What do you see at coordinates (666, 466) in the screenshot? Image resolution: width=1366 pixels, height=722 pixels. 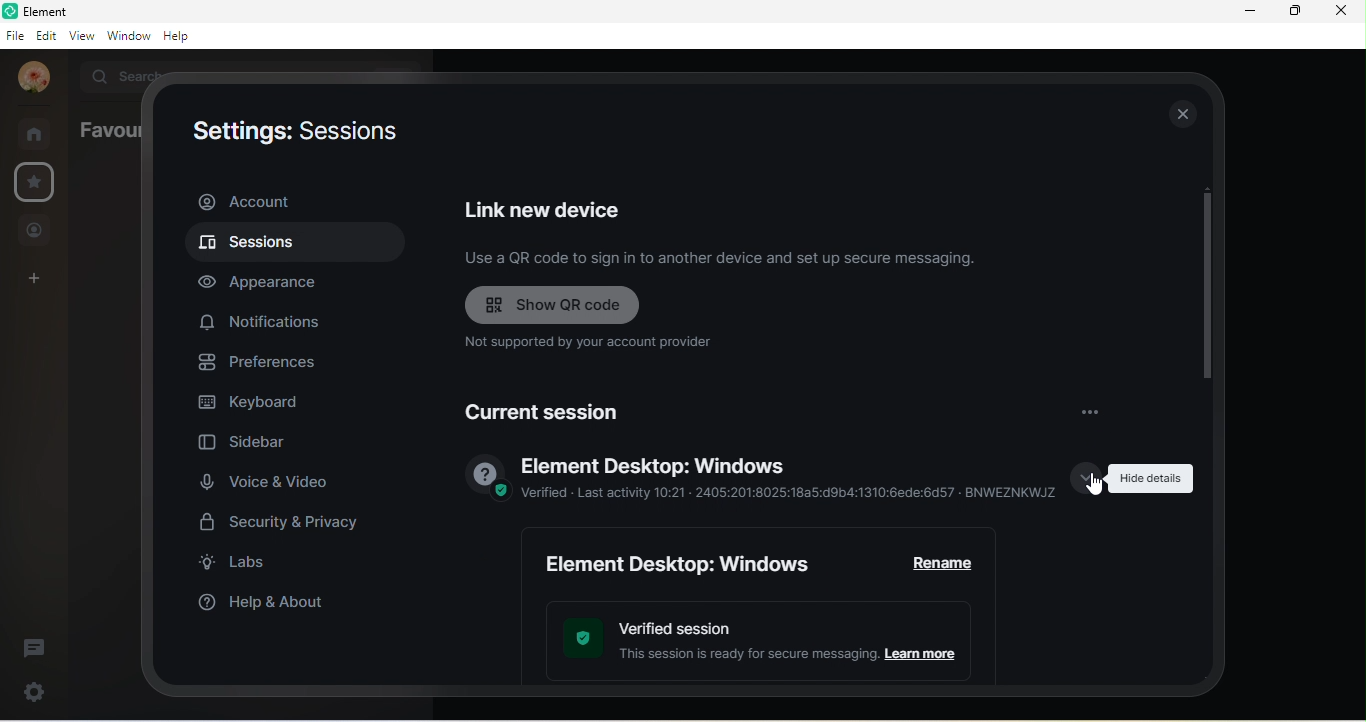 I see `element desktop window` at bounding box center [666, 466].